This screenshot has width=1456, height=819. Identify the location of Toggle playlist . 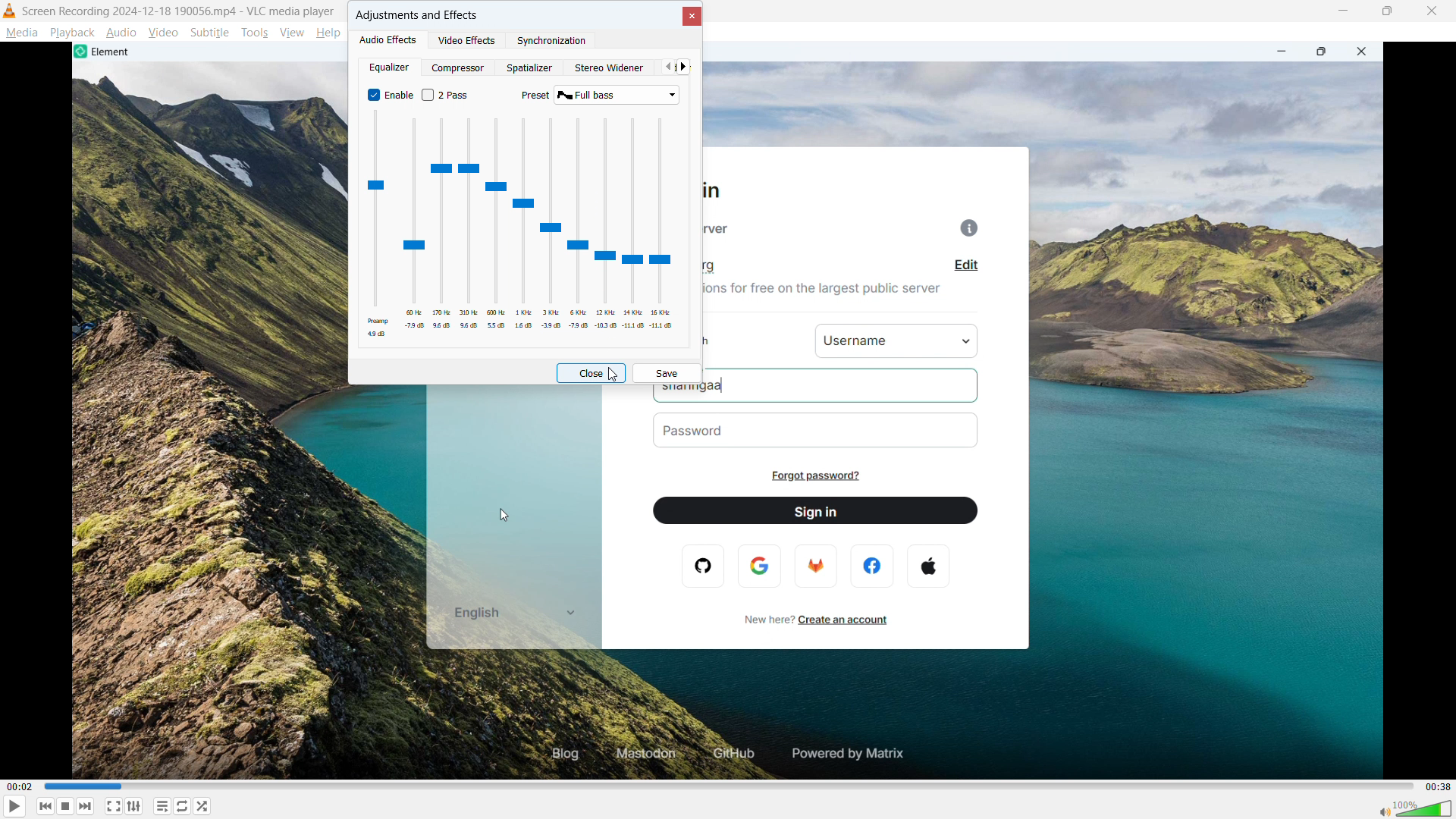
(165, 806).